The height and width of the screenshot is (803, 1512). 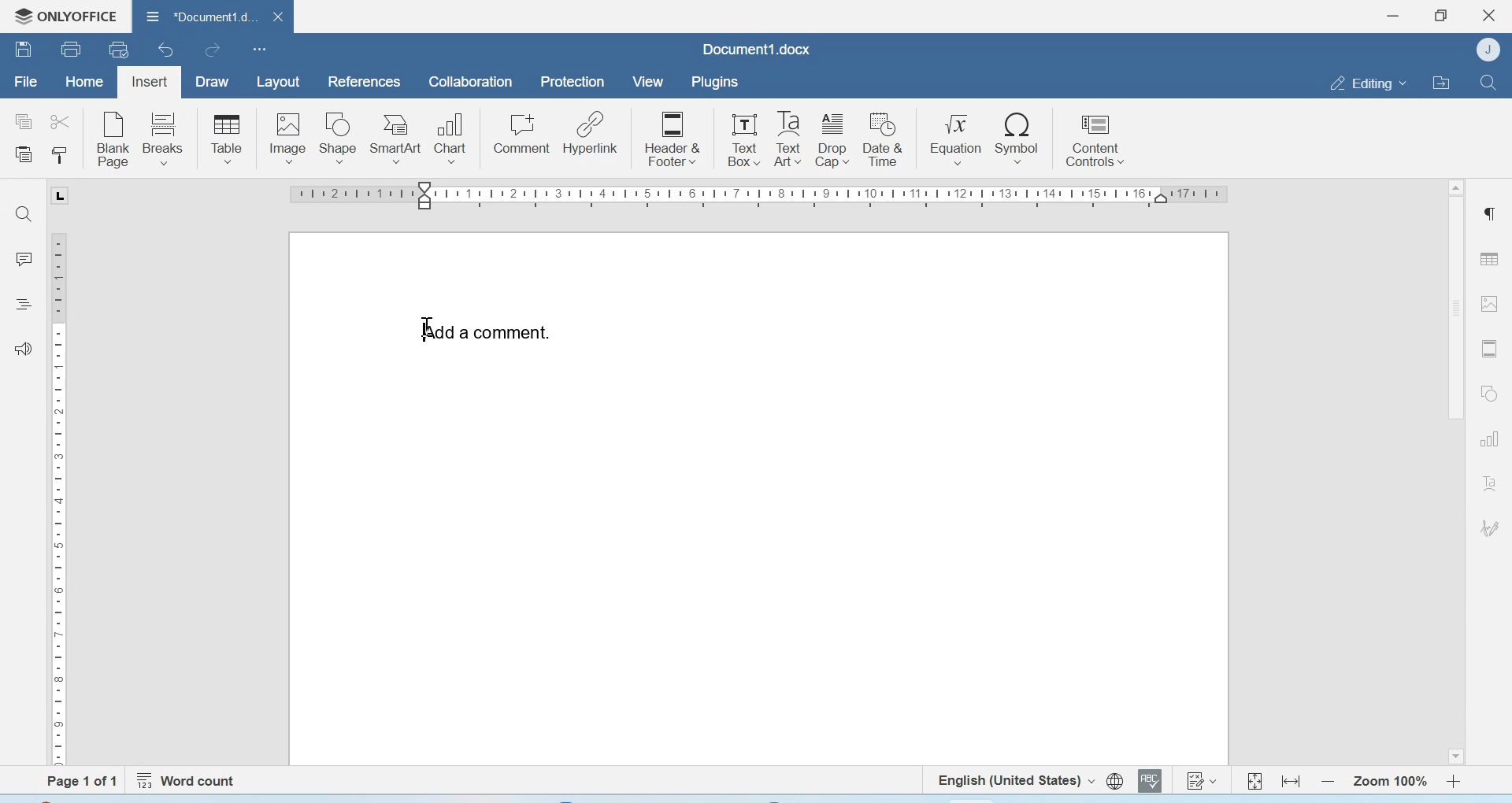 I want to click on Shape, so click(x=339, y=139).